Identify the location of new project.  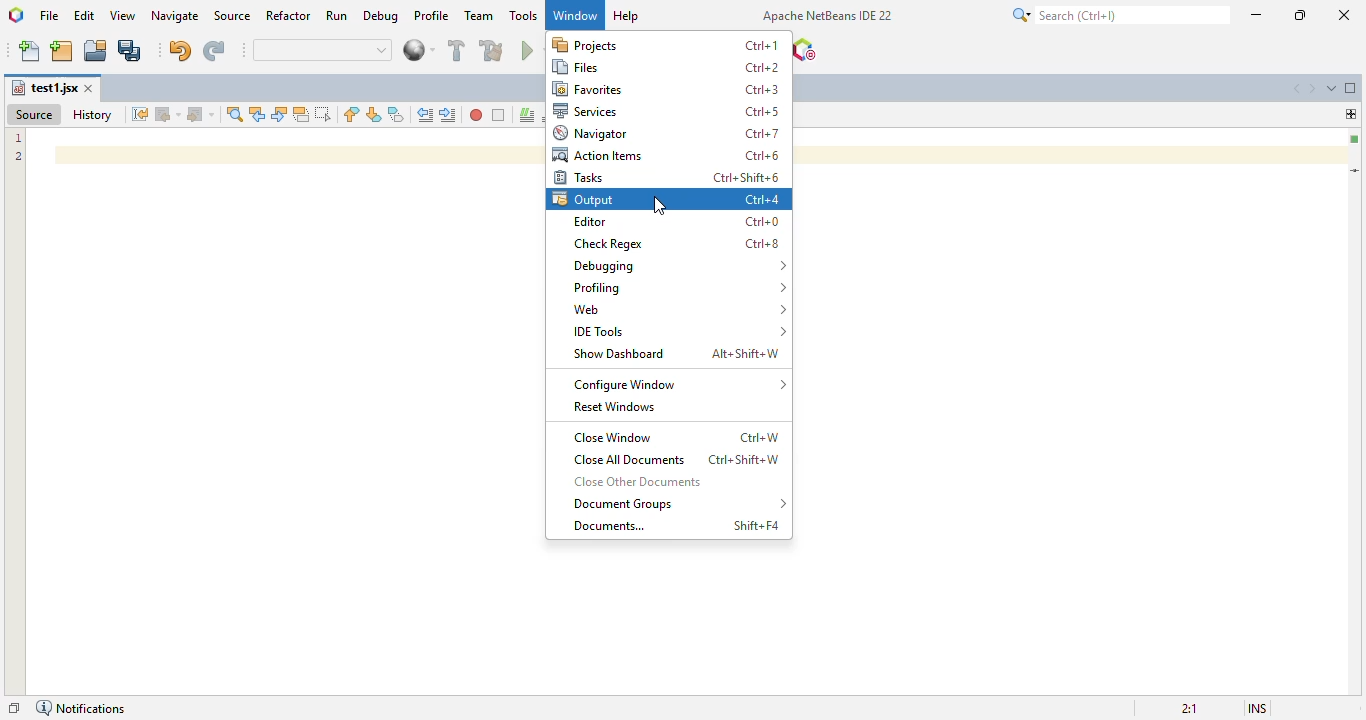
(62, 52).